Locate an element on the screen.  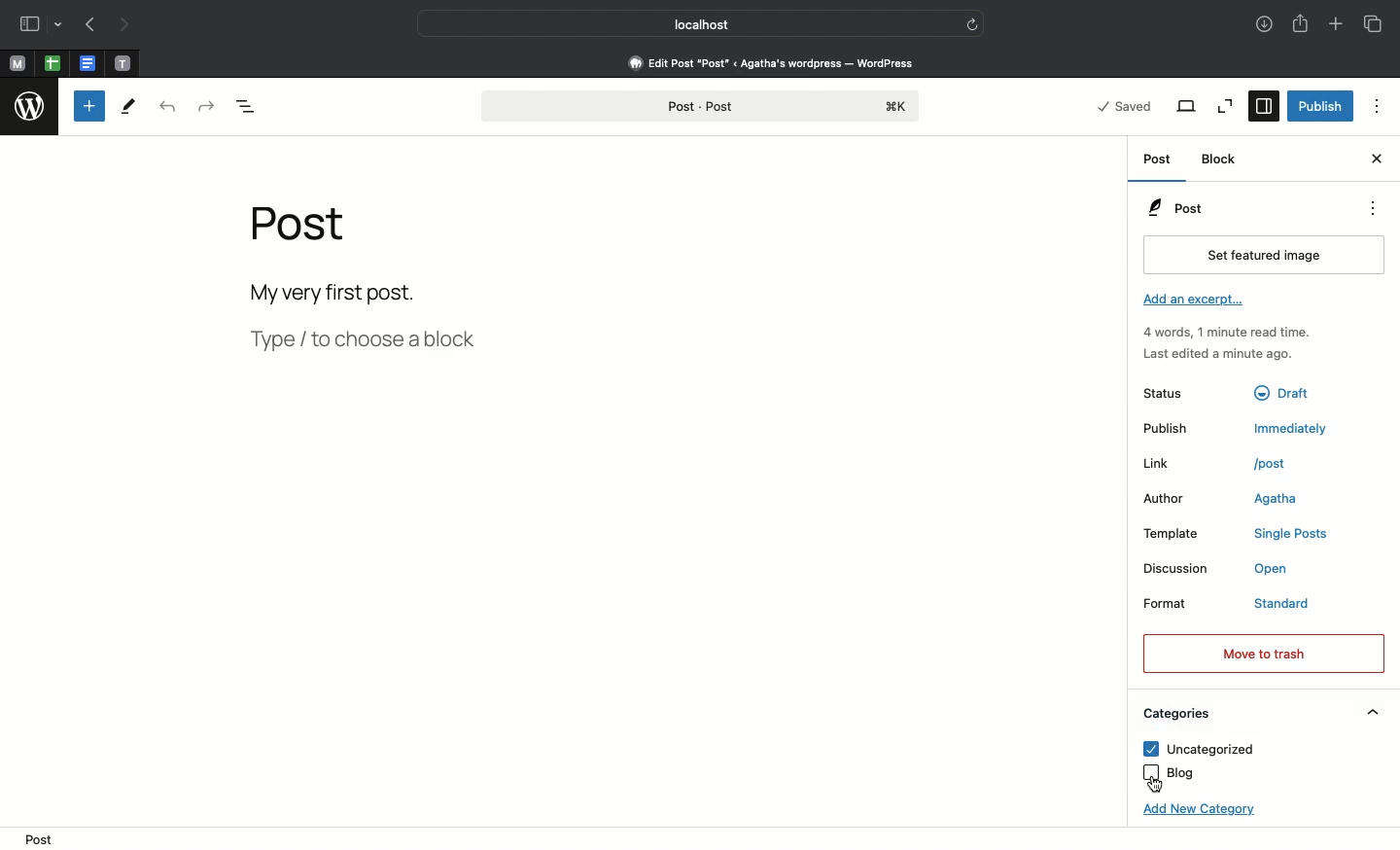
options is located at coordinates (1378, 106).